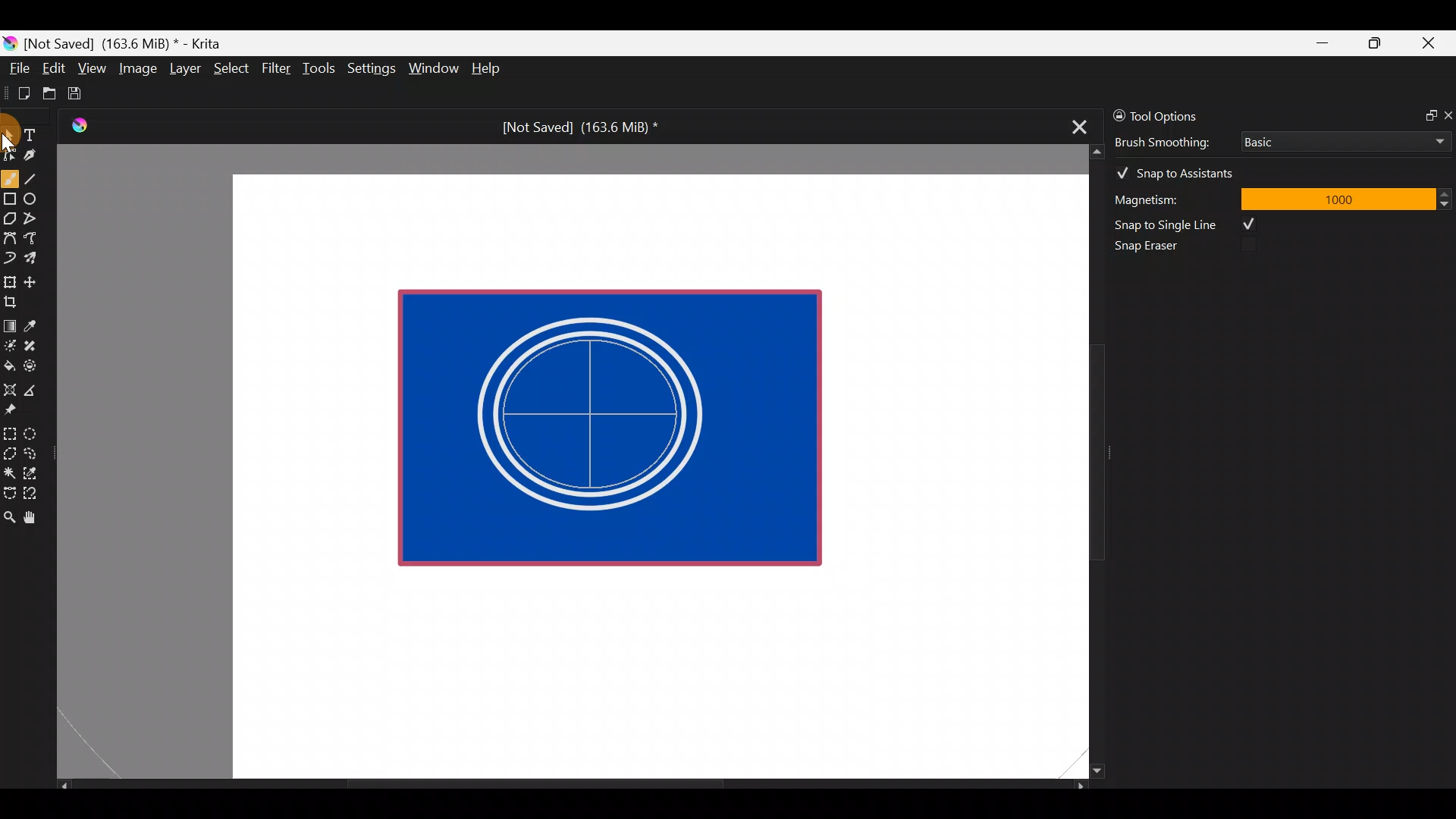 This screenshot has height=819, width=1456. What do you see at coordinates (9, 279) in the screenshot?
I see `Transform a layer/selection` at bounding box center [9, 279].